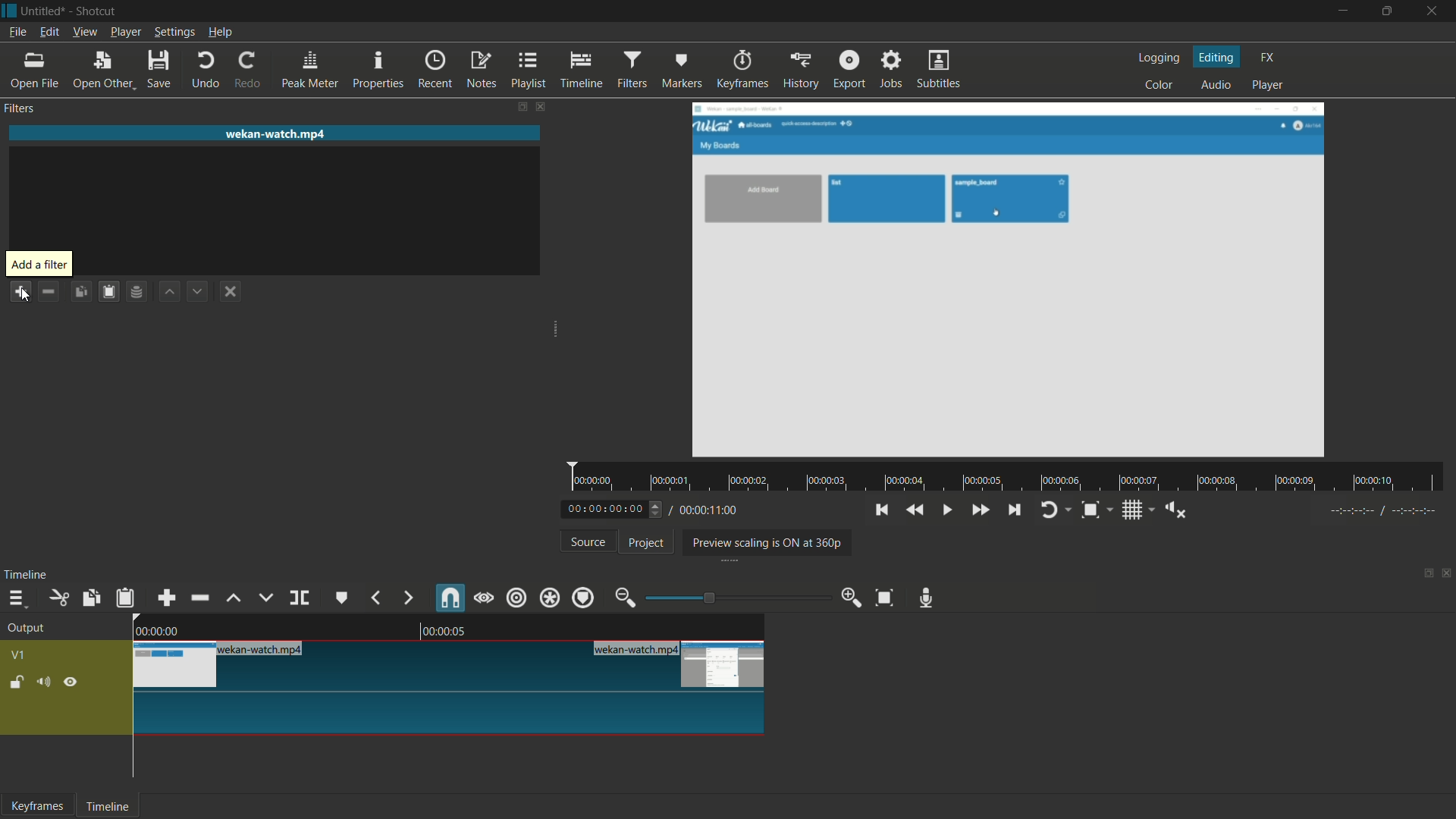 The height and width of the screenshot is (819, 1456). What do you see at coordinates (174, 32) in the screenshot?
I see `settings menu` at bounding box center [174, 32].